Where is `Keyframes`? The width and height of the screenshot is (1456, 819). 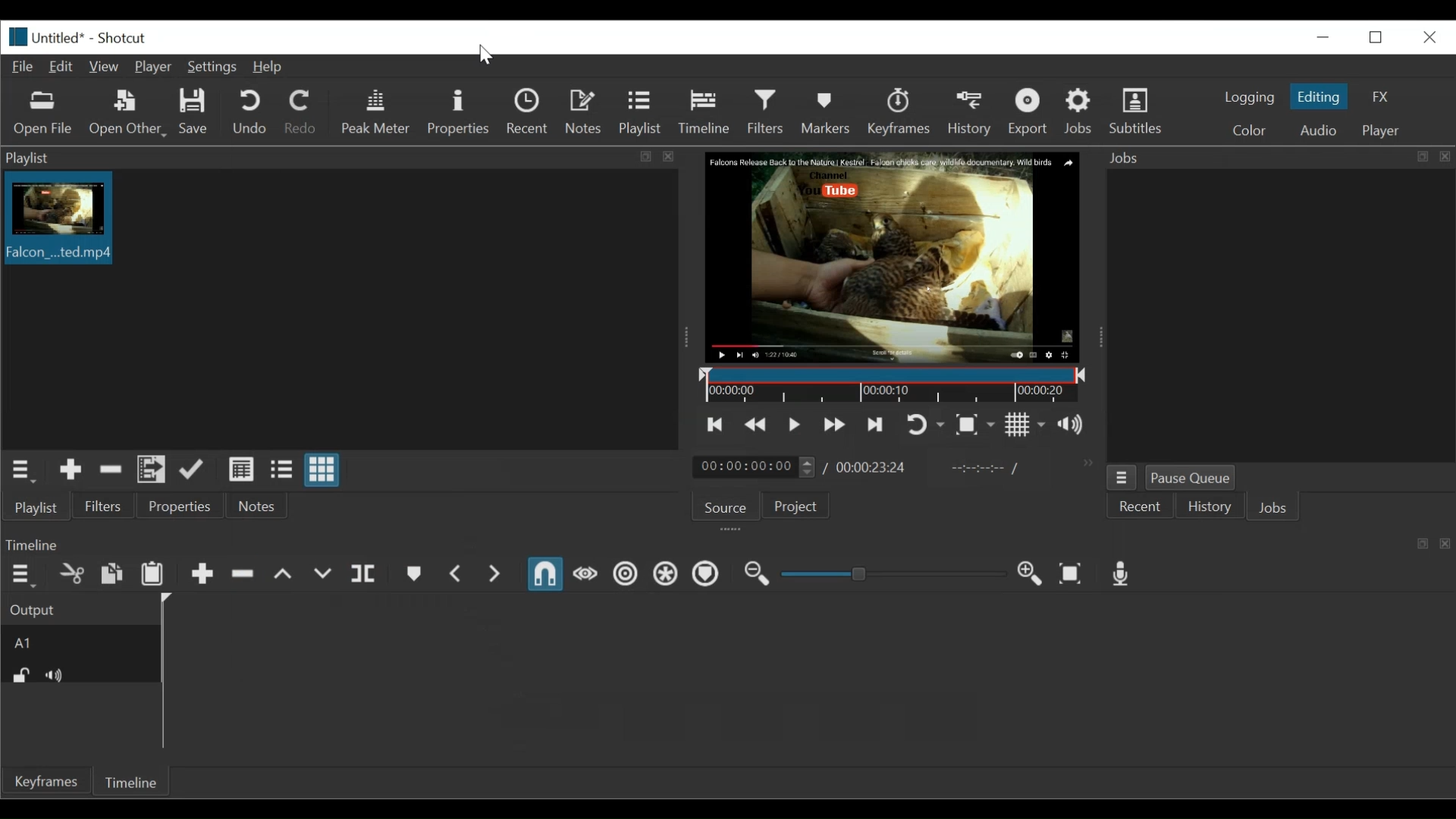
Keyframes is located at coordinates (45, 780).